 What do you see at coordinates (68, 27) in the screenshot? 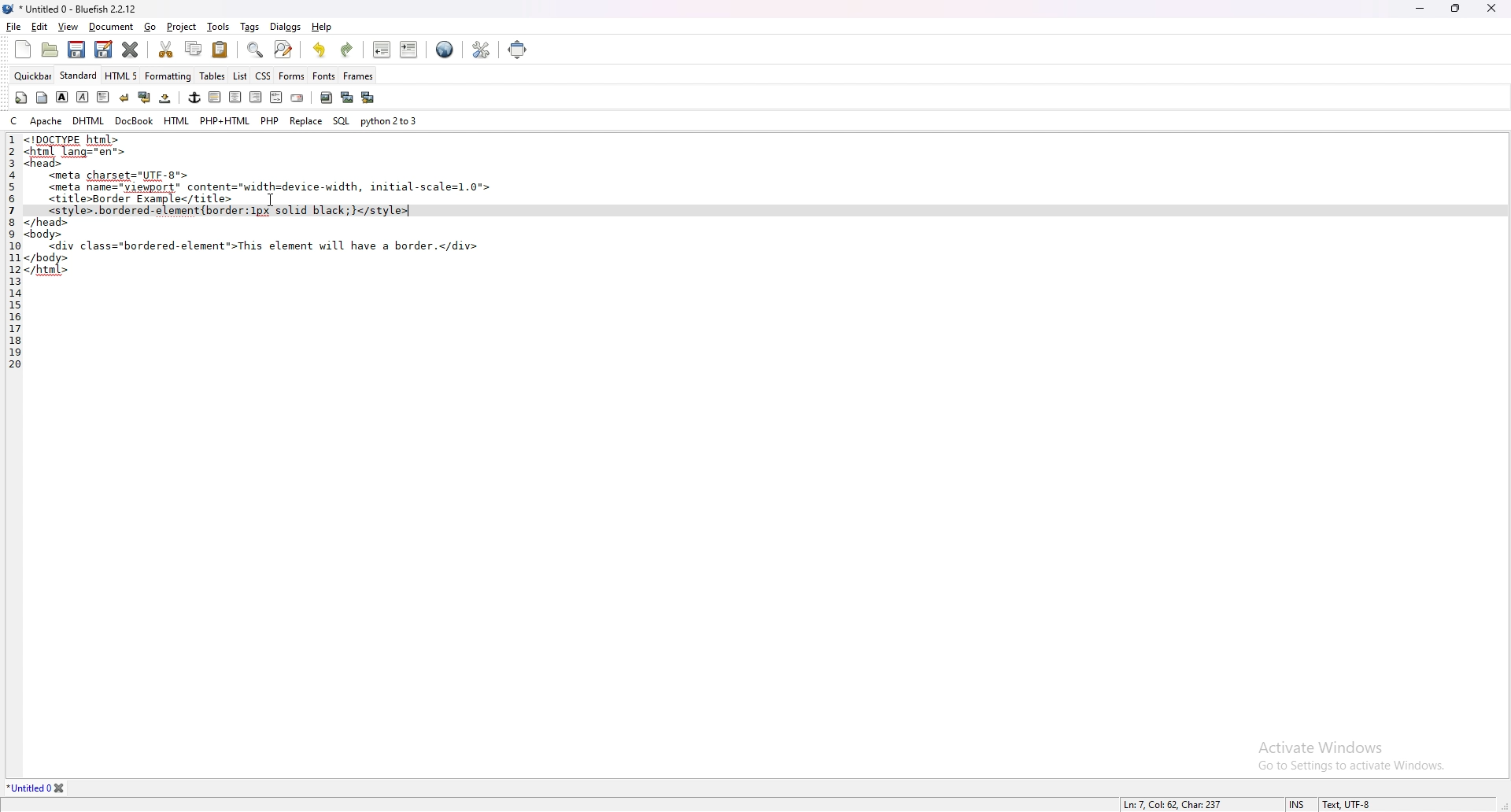
I see `view` at bounding box center [68, 27].